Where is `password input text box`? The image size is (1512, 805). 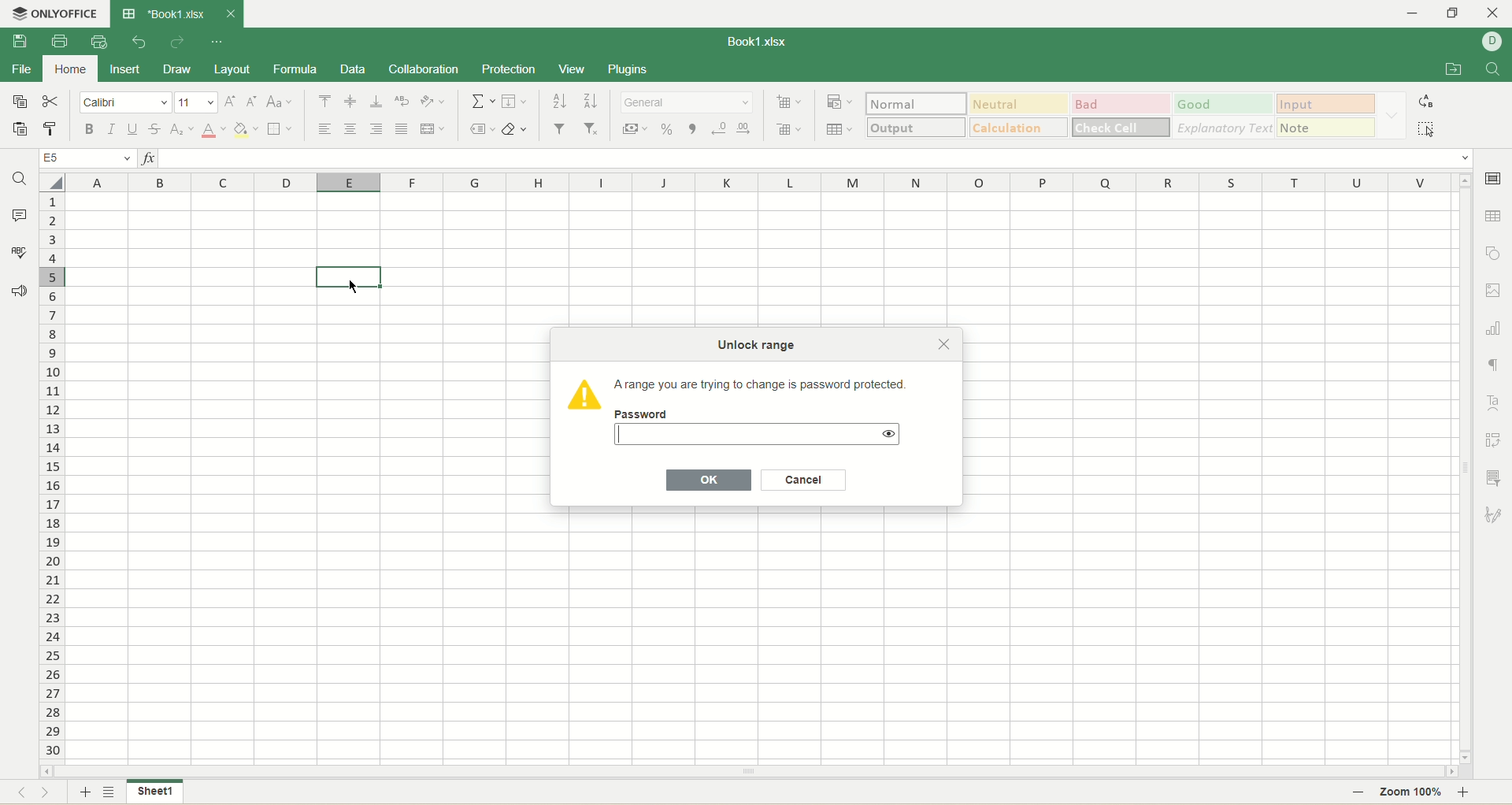
password input text box is located at coordinates (735, 434).